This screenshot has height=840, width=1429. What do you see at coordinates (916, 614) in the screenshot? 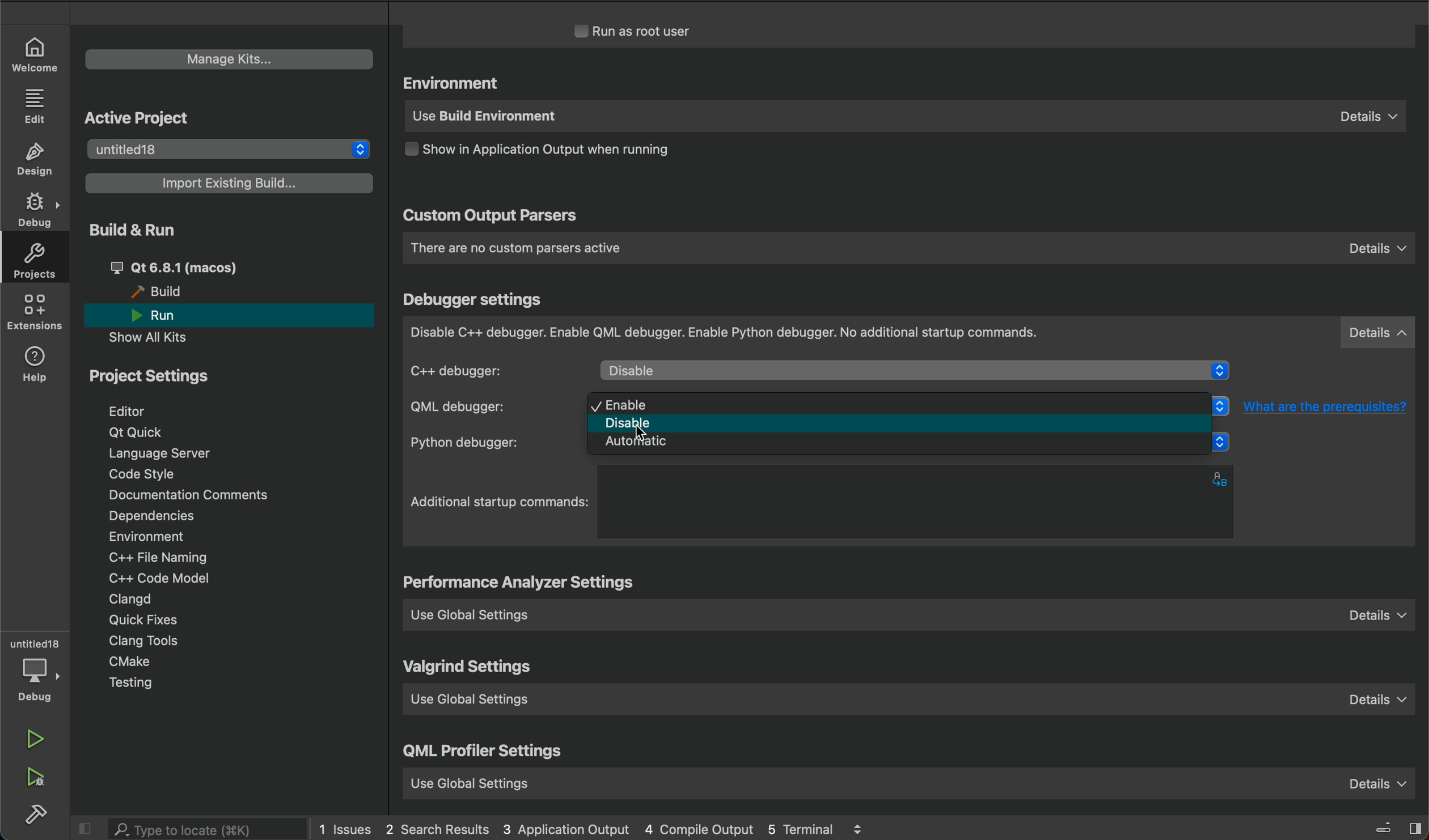
I see `use global ` at bounding box center [916, 614].